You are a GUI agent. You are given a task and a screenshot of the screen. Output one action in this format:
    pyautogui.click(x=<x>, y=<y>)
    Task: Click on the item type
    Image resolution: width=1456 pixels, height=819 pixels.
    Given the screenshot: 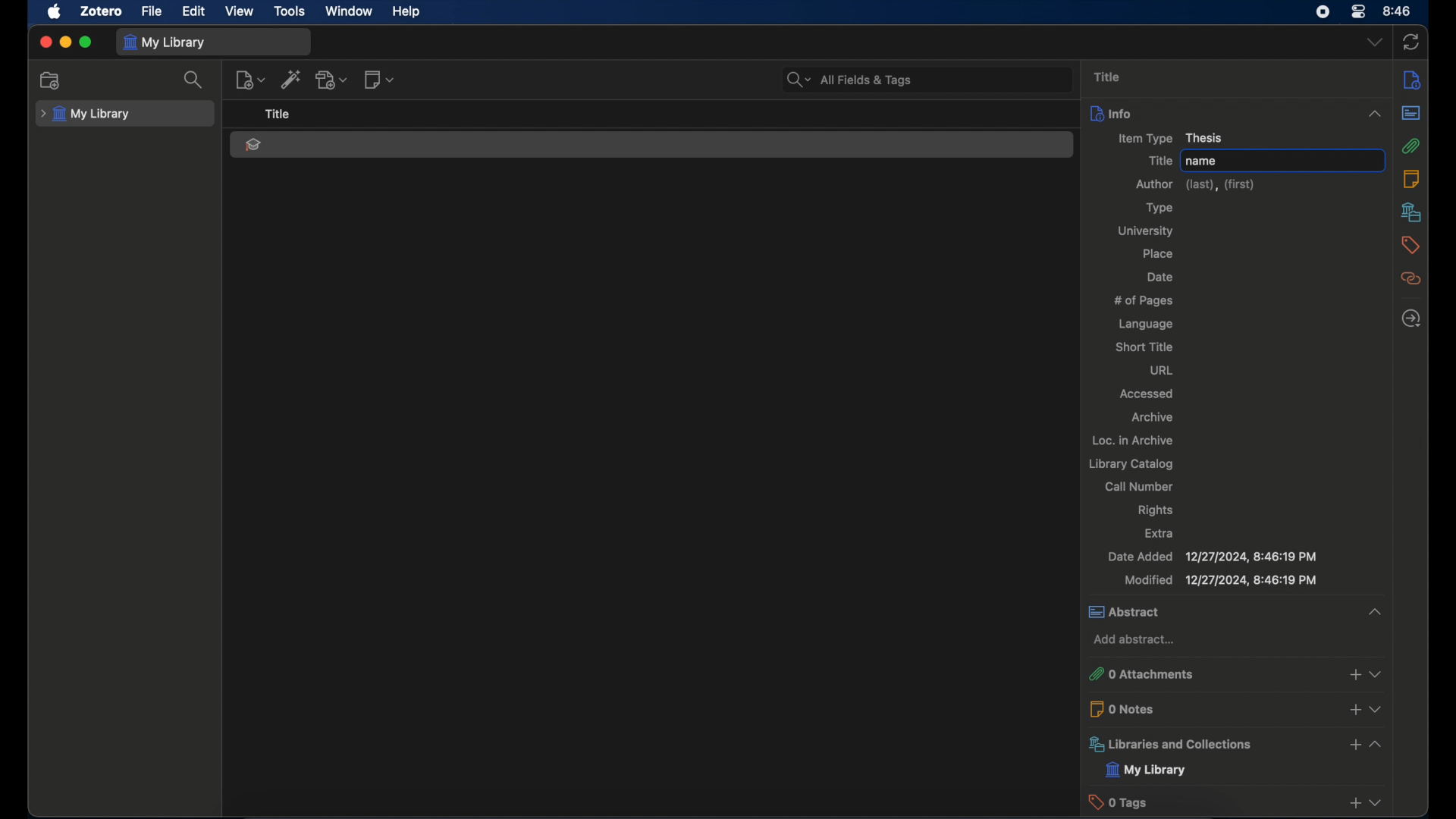 What is the action you would take?
    pyautogui.click(x=1172, y=138)
    